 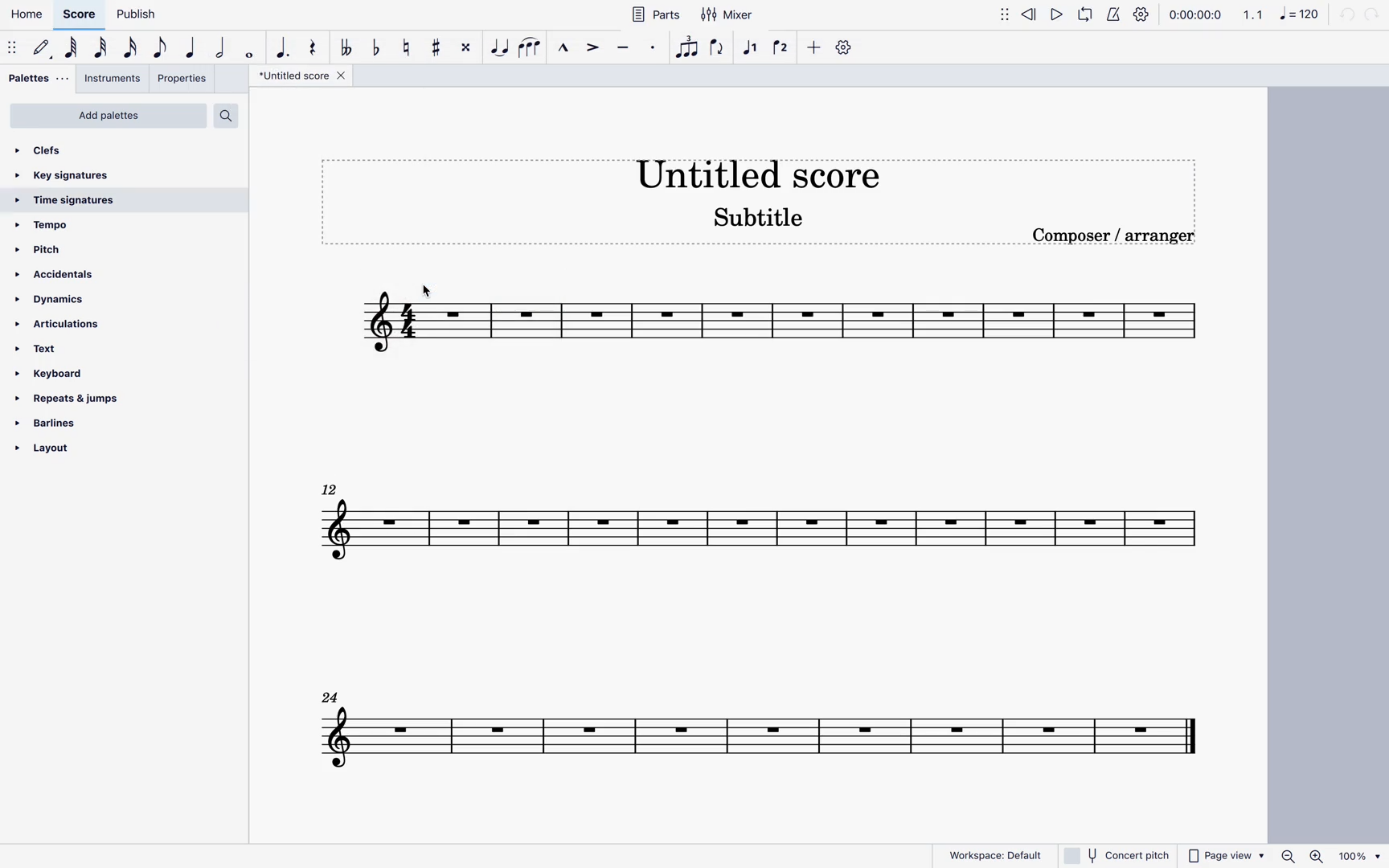 I want to click on tie, so click(x=495, y=50).